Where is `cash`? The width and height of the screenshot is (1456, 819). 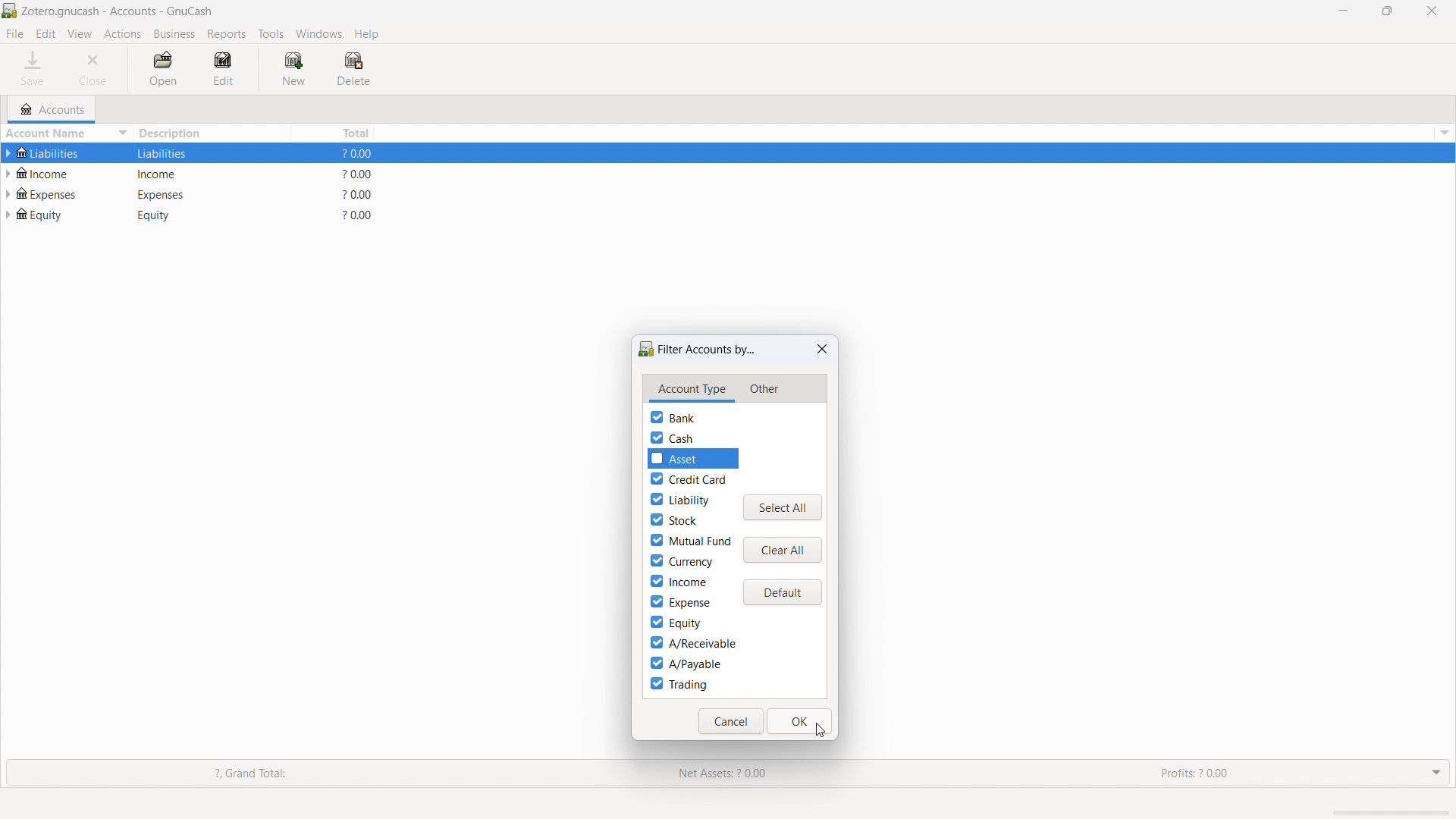
cash is located at coordinates (672, 438).